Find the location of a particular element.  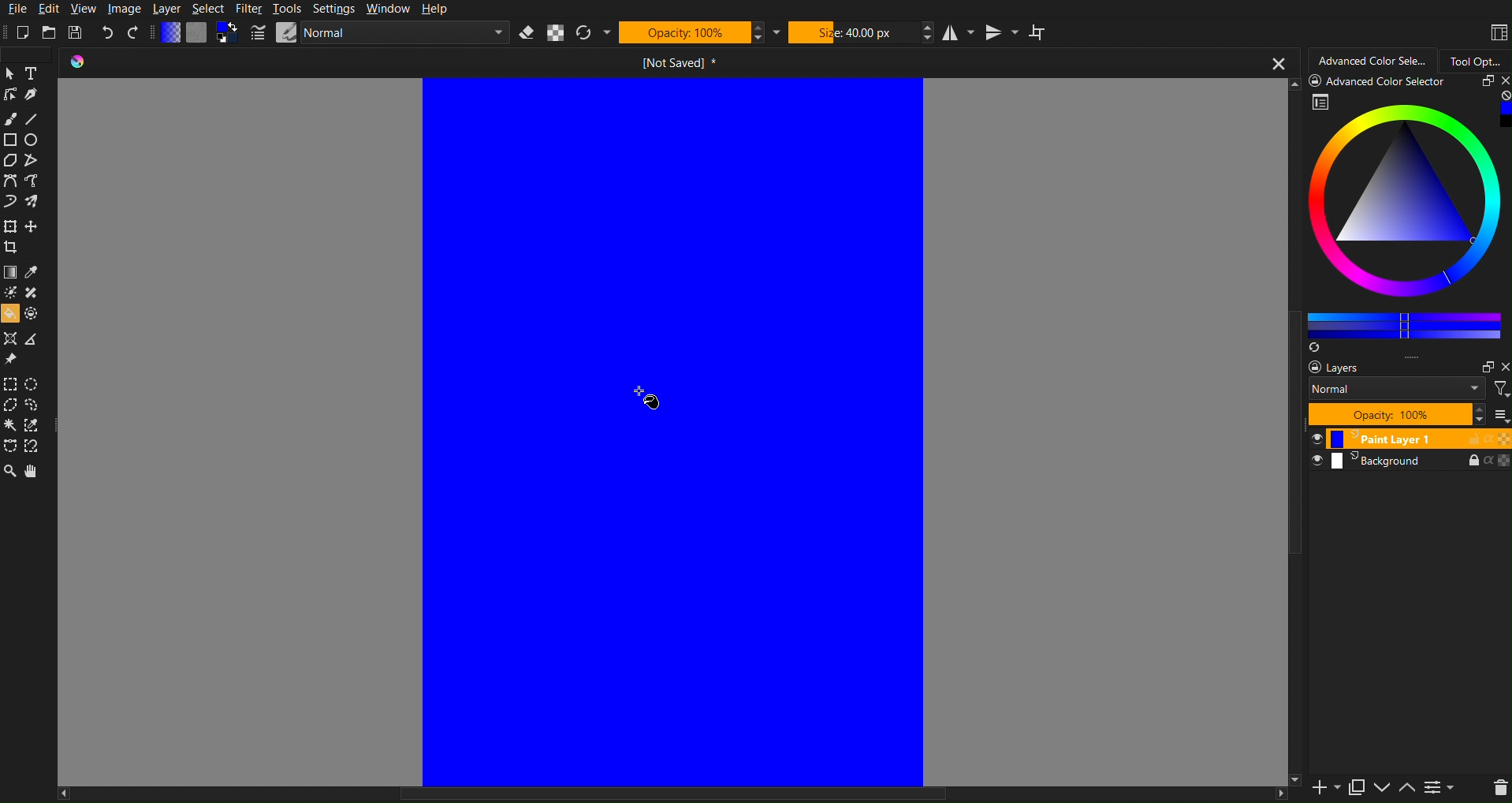

paint layer 1 is located at coordinates (1375, 440).